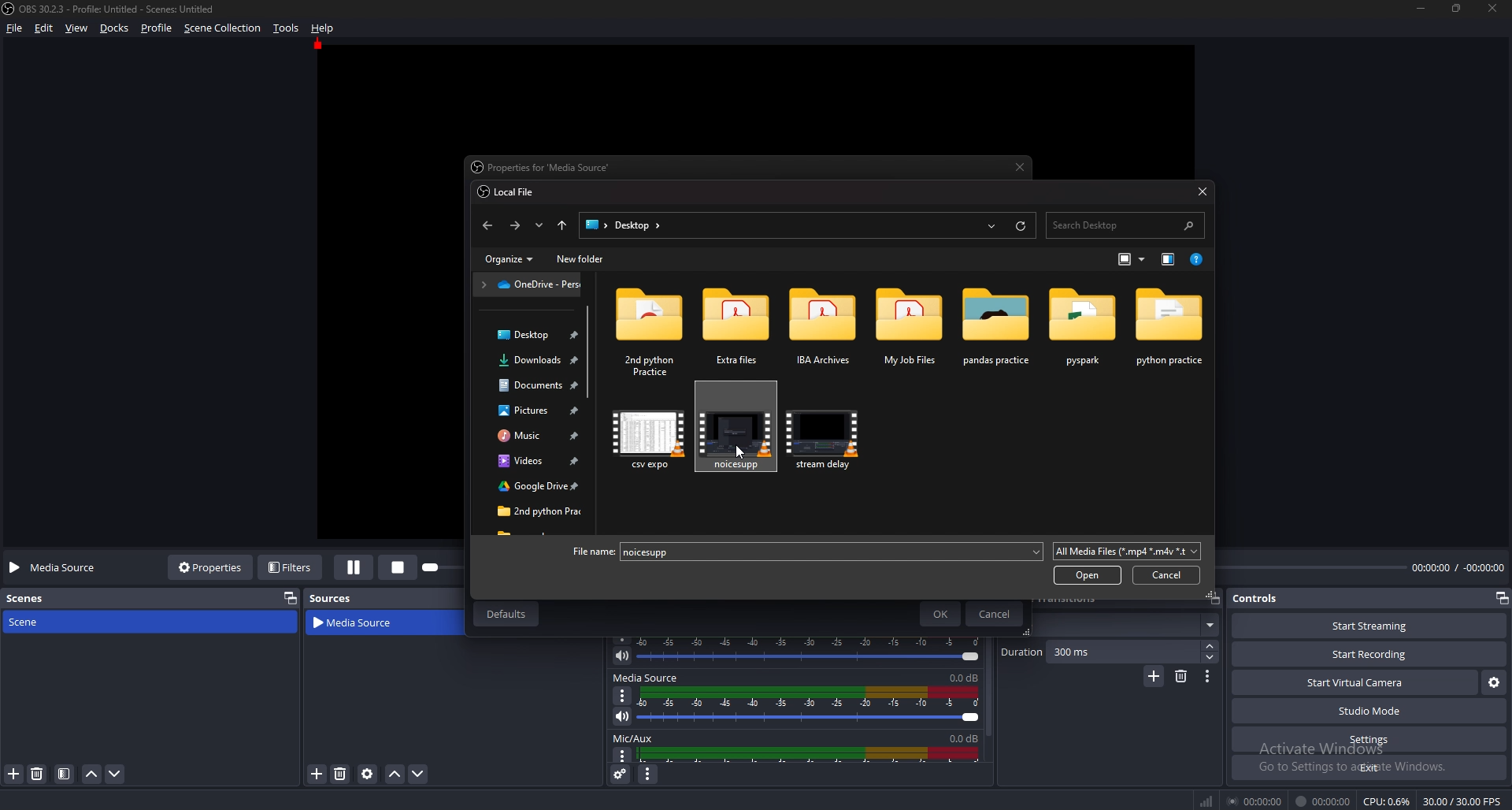 Image resolution: width=1512 pixels, height=810 pixels. What do you see at coordinates (738, 427) in the screenshot?
I see `selected video` at bounding box center [738, 427].